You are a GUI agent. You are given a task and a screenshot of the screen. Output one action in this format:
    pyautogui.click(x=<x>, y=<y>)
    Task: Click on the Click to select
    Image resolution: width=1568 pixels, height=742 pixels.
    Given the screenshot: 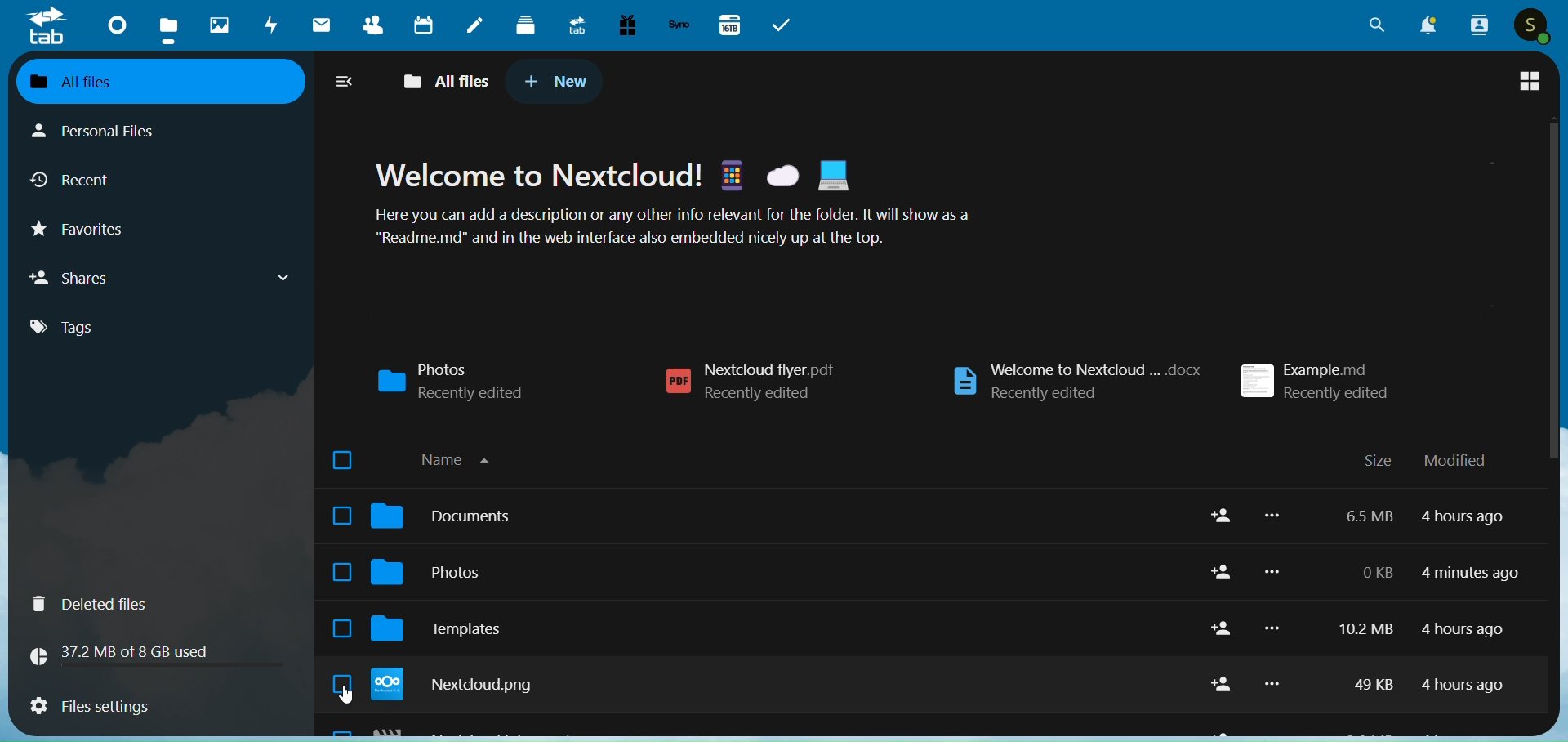 What is the action you would take?
    pyautogui.click(x=341, y=572)
    